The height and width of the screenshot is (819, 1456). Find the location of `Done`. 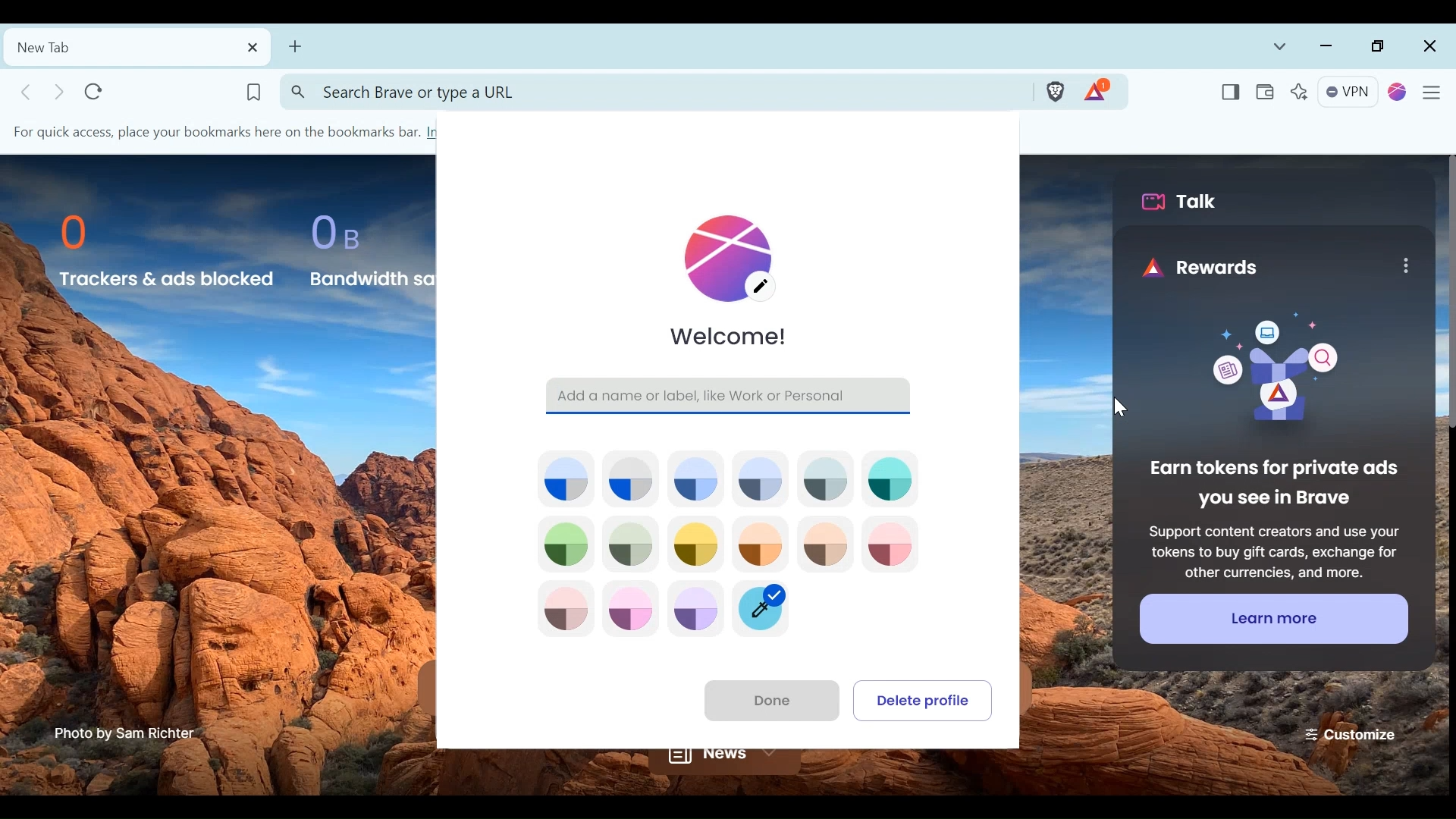

Done is located at coordinates (767, 698).